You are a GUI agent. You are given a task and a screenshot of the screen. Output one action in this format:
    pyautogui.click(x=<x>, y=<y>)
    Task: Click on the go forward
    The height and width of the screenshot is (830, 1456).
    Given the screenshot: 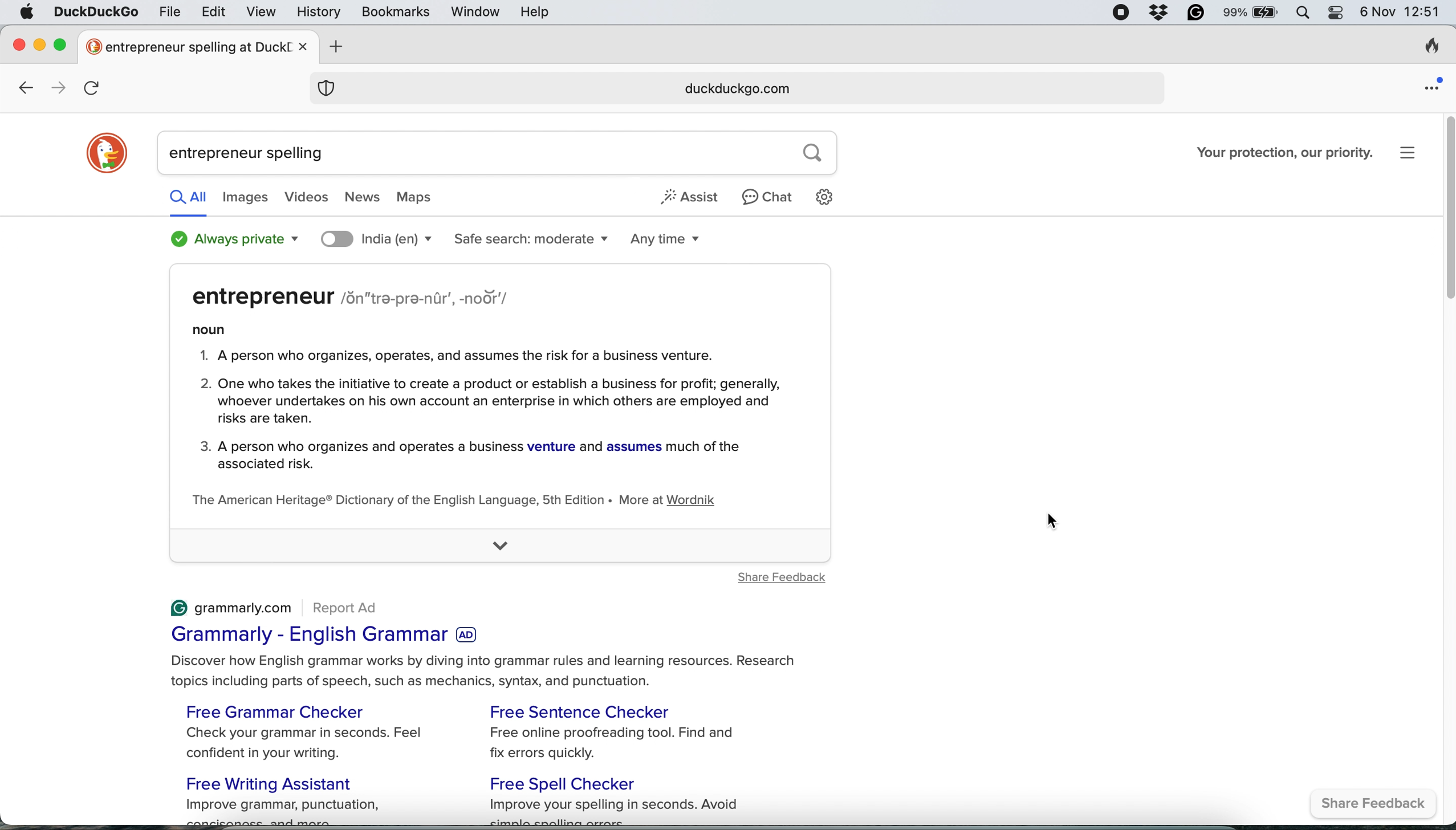 What is the action you would take?
    pyautogui.click(x=62, y=88)
    